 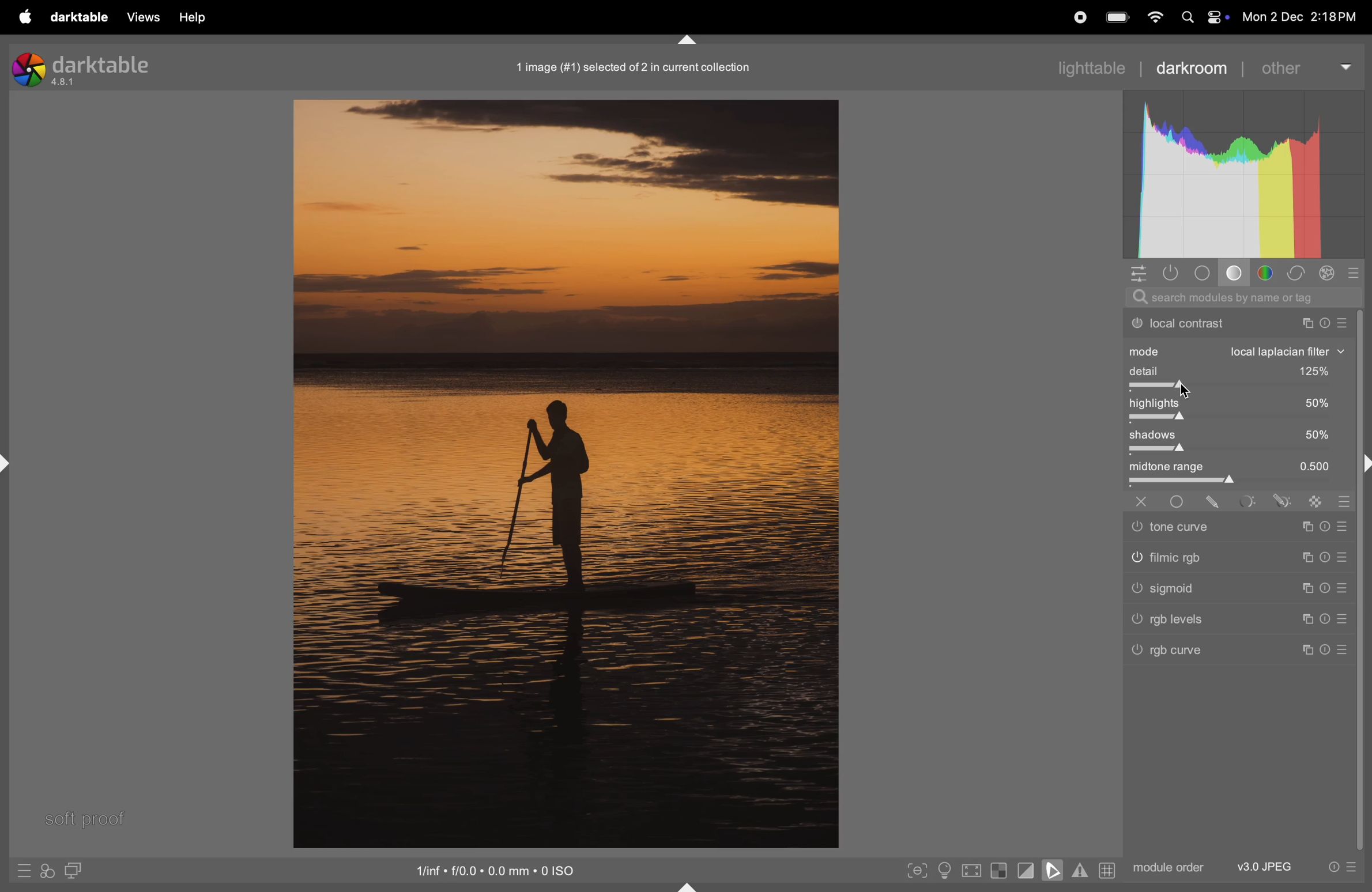 What do you see at coordinates (1310, 531) in the screenshot?
I see `sign ` at bounding box center [1310, 531].